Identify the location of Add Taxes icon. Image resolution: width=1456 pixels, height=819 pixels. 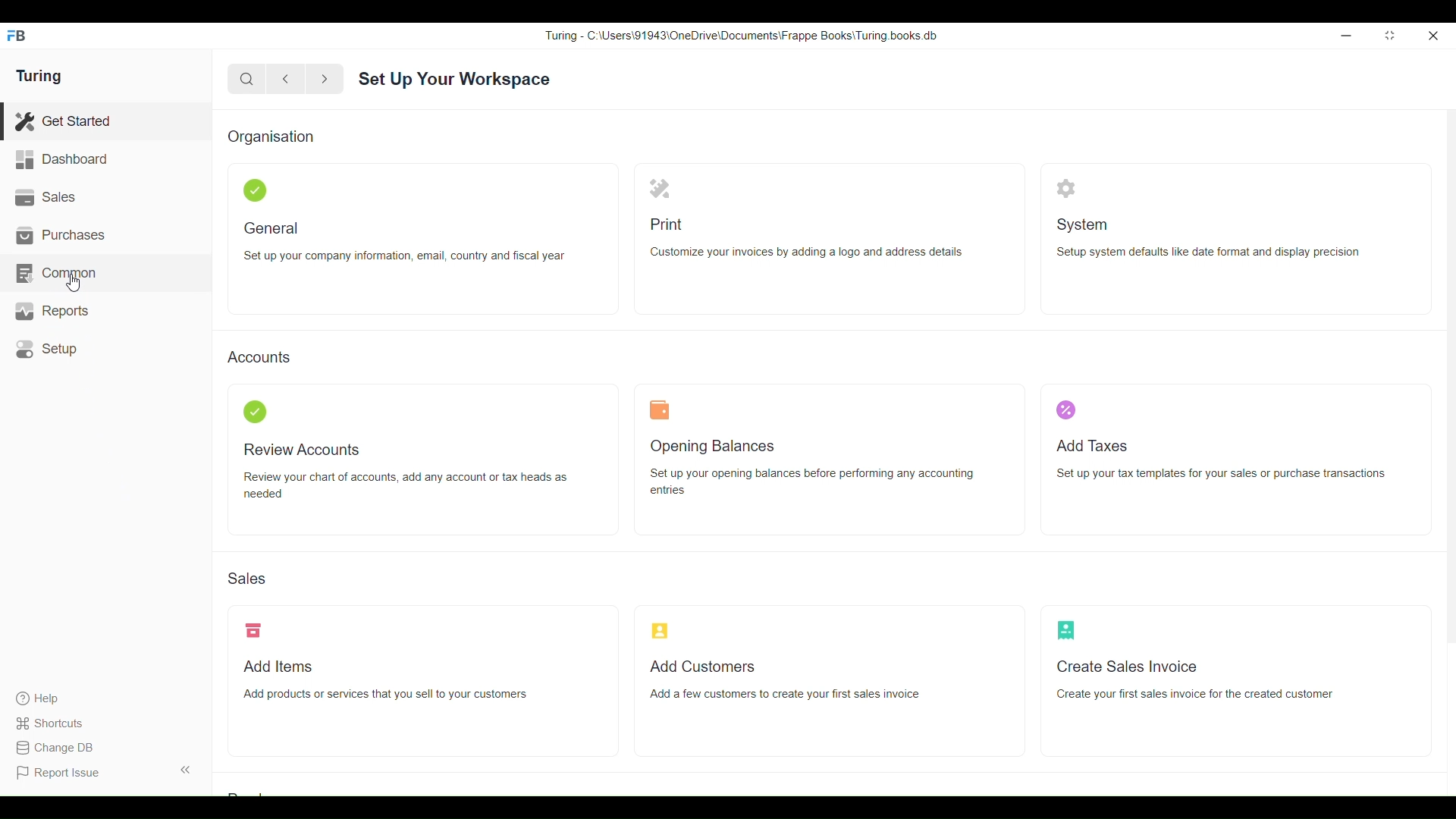
(1065, 410).